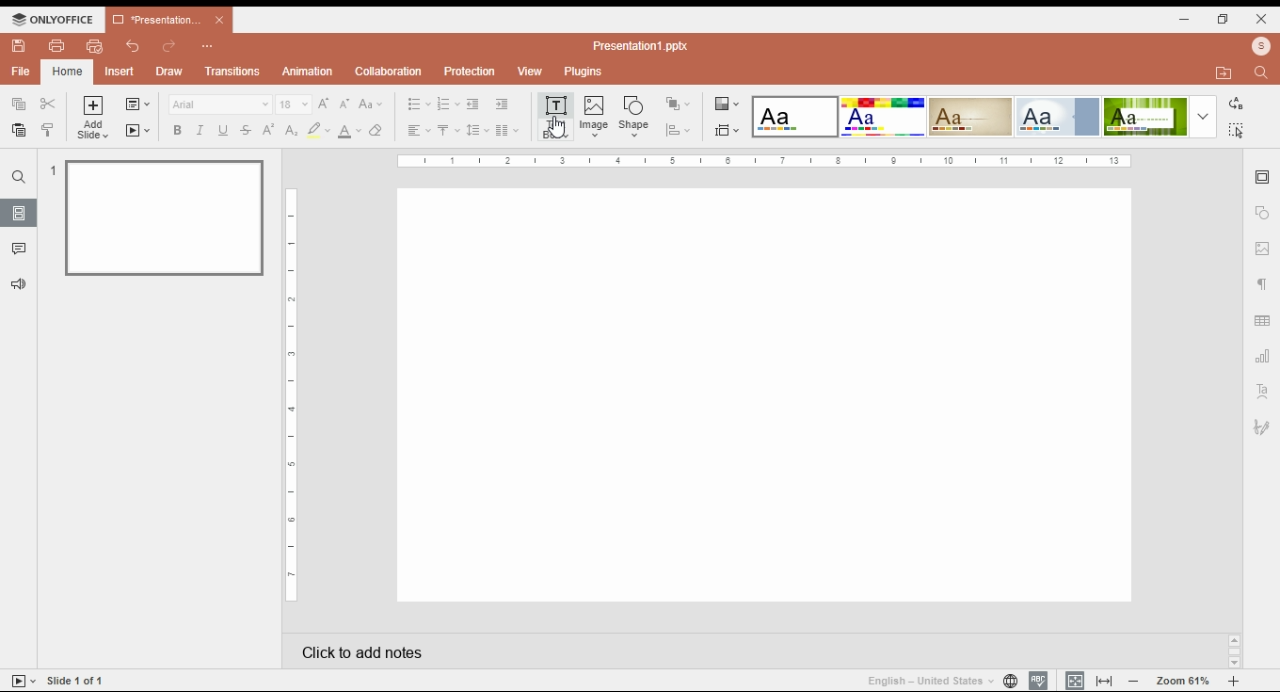 The height and width of the screenshot is (692, 1280). What do you see at coordinates (164, 219) in the screenshot?
I see `slide 1` at bounding box center [164, 219].